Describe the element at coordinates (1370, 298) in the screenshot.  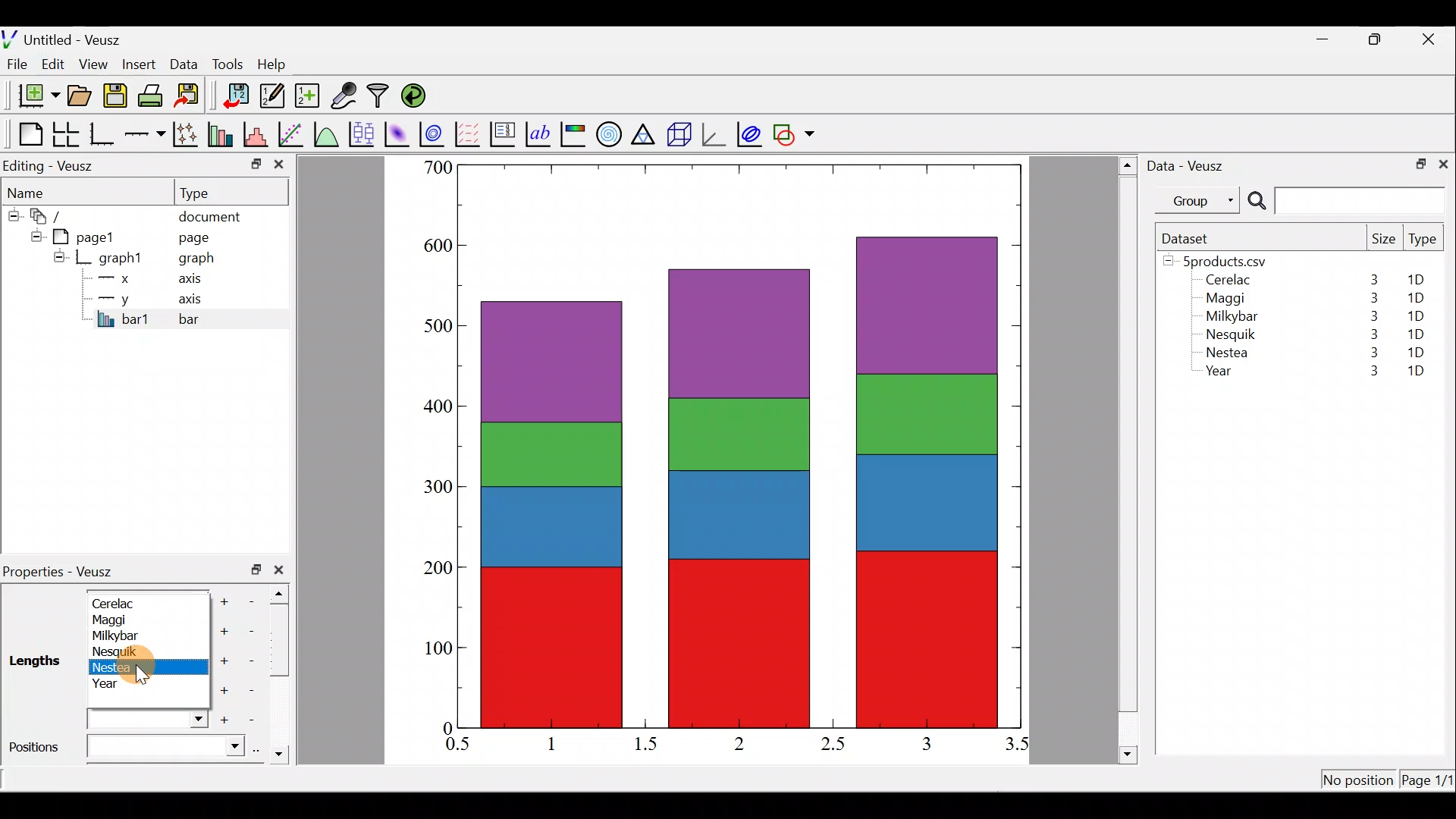
I see `3` at that location.